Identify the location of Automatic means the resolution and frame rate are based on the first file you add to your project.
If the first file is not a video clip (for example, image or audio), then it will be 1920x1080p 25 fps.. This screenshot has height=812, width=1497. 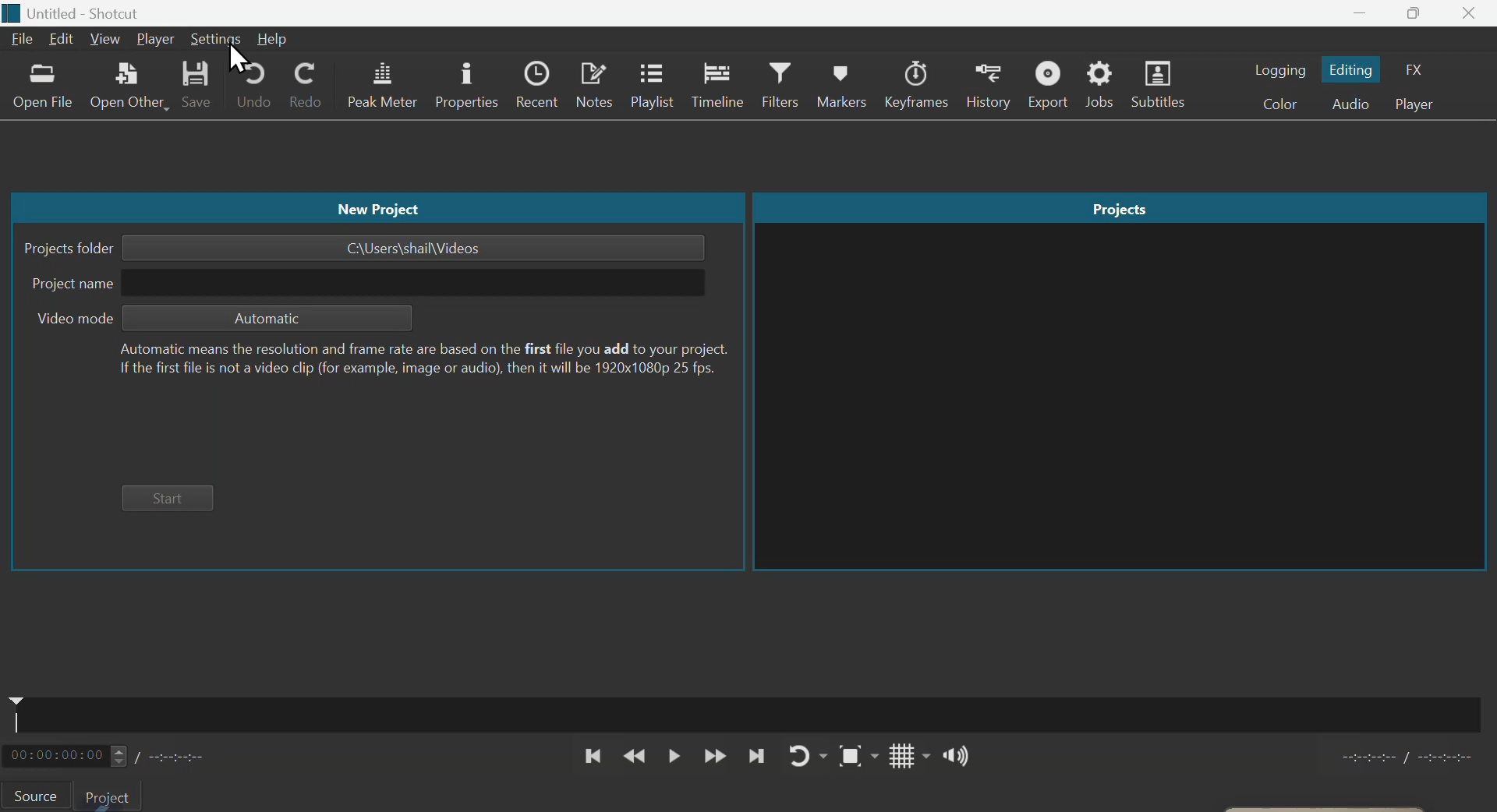
(420, 360).